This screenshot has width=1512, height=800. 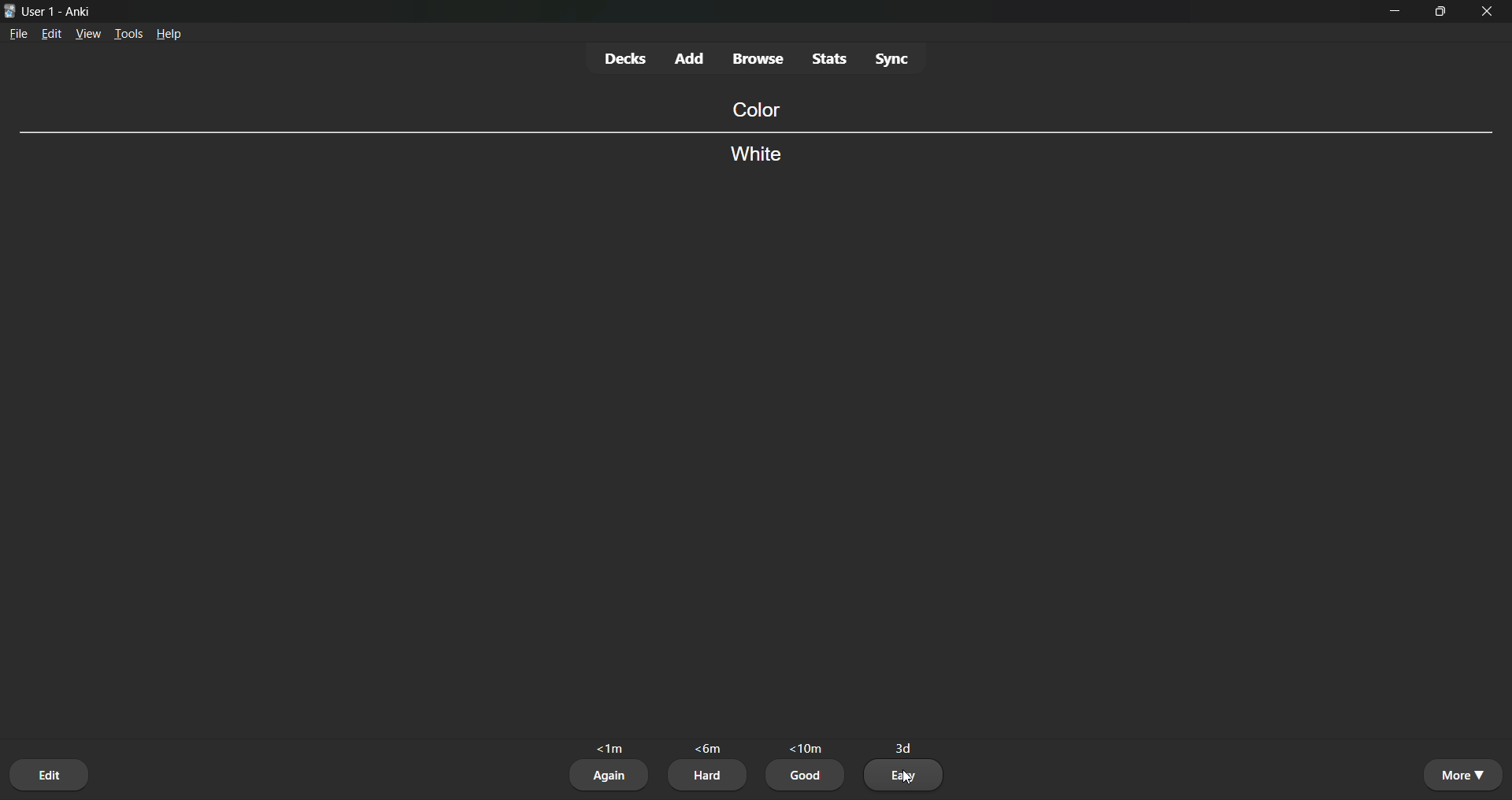 I want to click on <10m, so click(x=806, y=744).